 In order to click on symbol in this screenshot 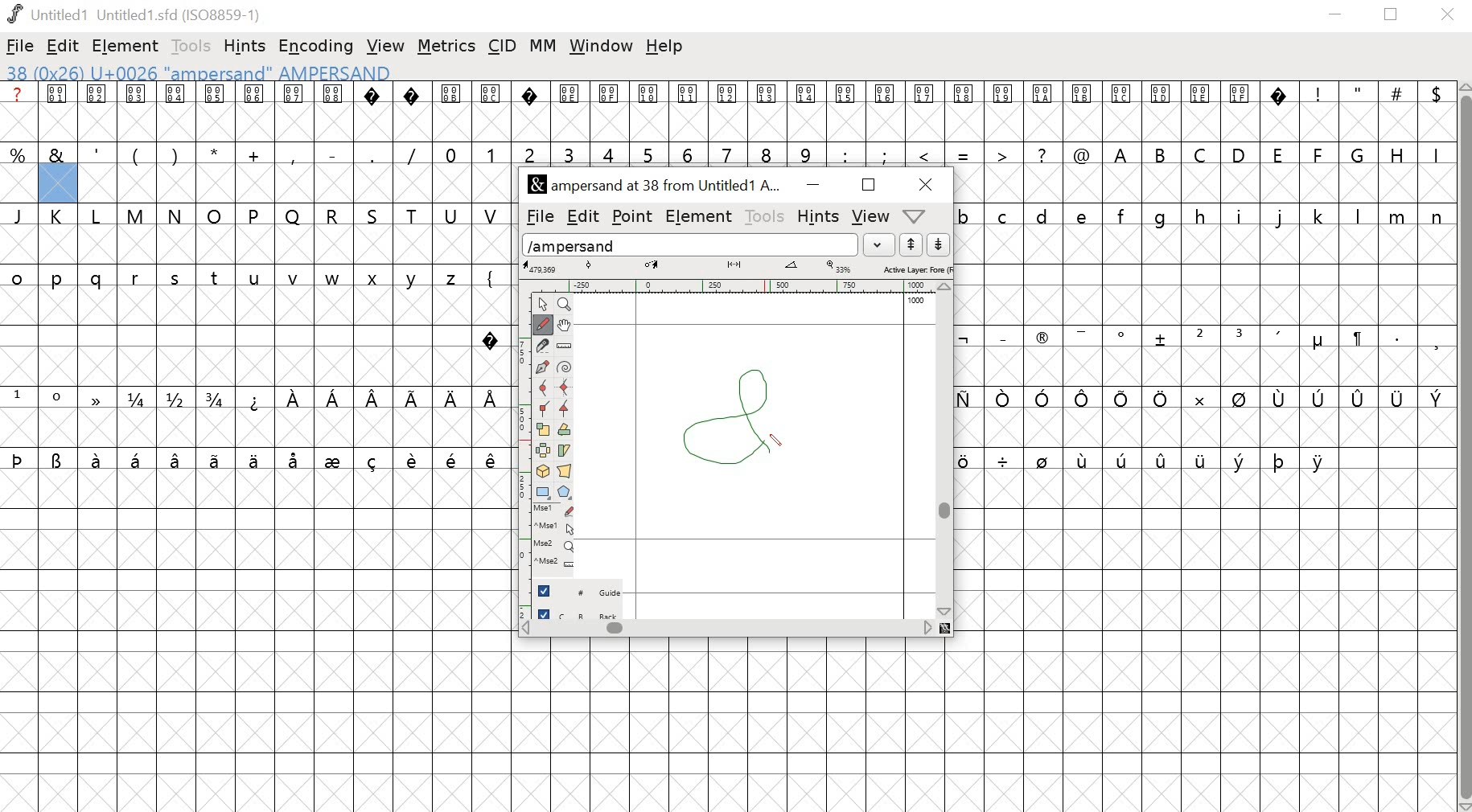, I will do `click(1280, 460)`.